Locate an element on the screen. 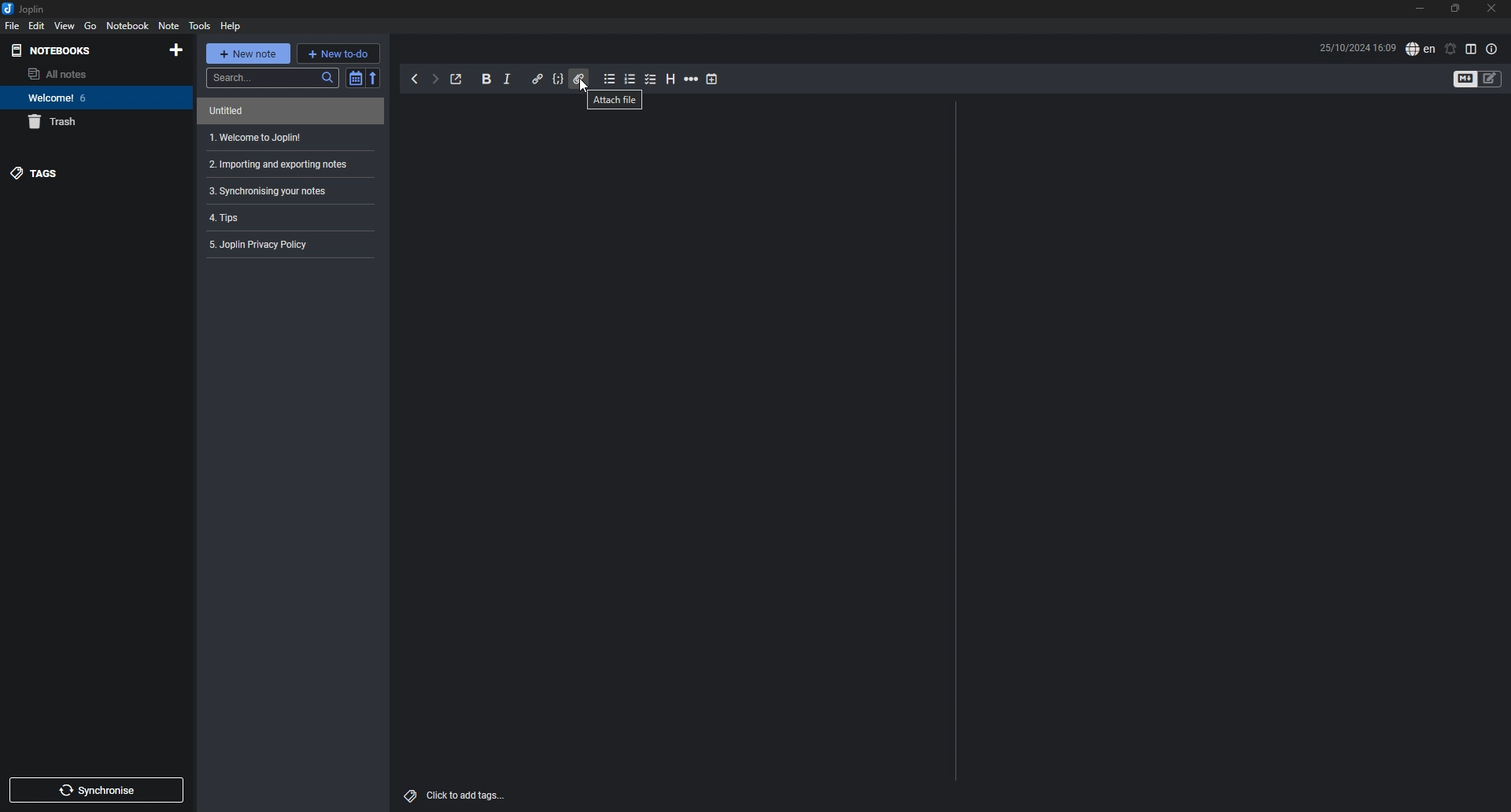 The image size is (1511, 812). new note is located at coordinates (248, 53).